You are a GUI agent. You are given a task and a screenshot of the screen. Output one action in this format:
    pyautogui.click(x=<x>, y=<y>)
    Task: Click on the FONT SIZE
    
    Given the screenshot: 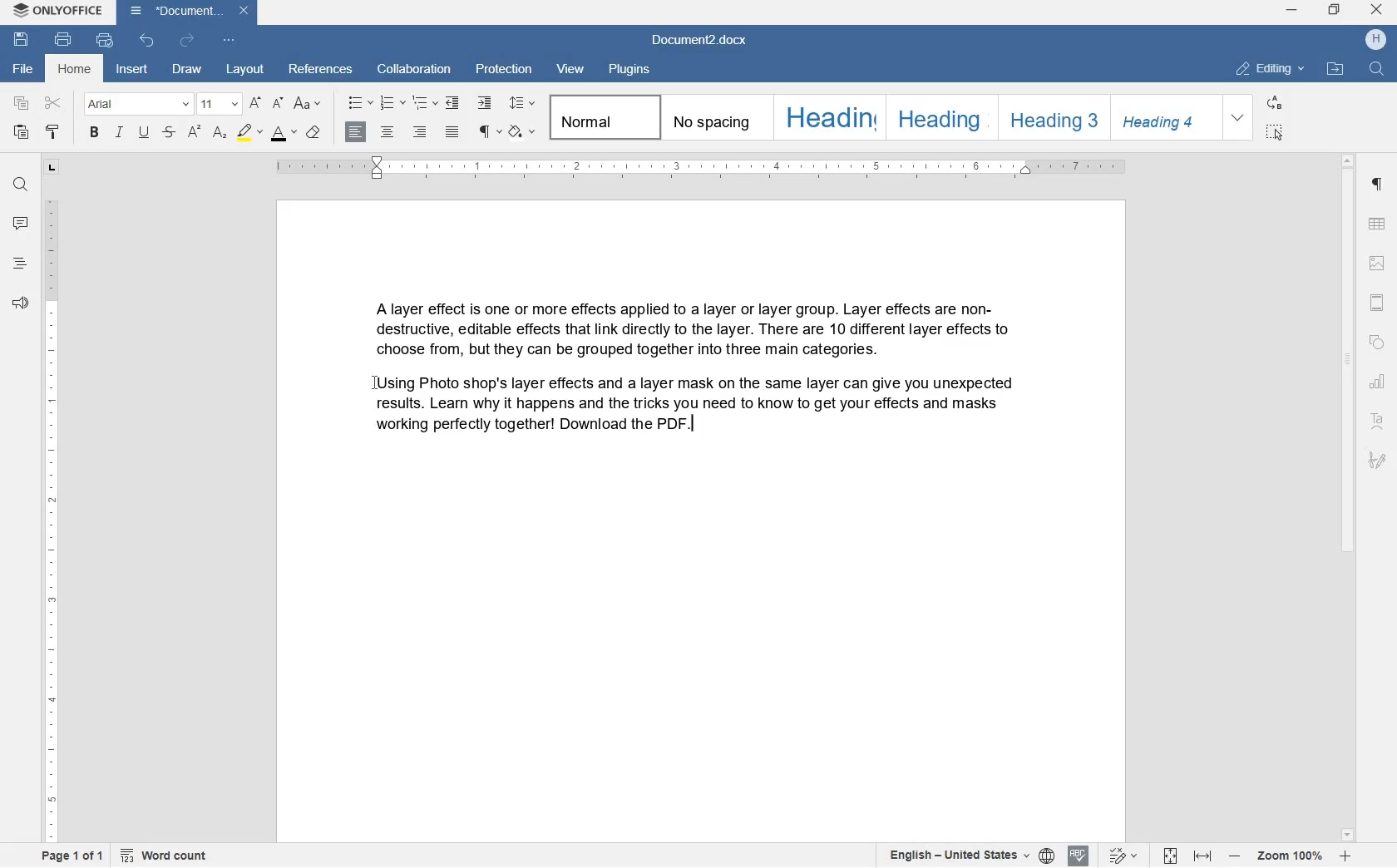 What is the action you would take?
    pyautogui.click(x=218, y=103)
    